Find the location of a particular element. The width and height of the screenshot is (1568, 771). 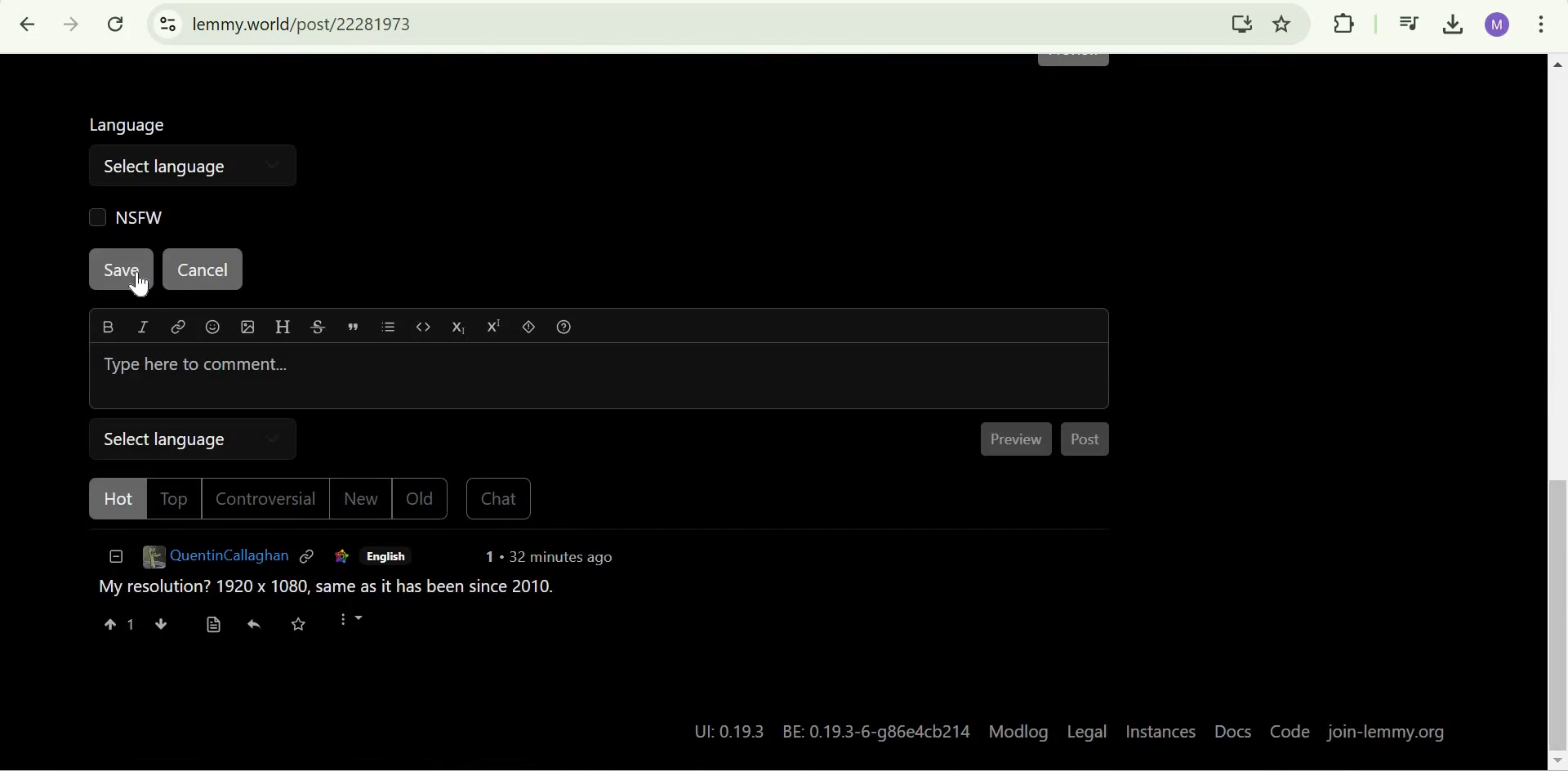

Type here to comment... is located at coordinates (599, 377).